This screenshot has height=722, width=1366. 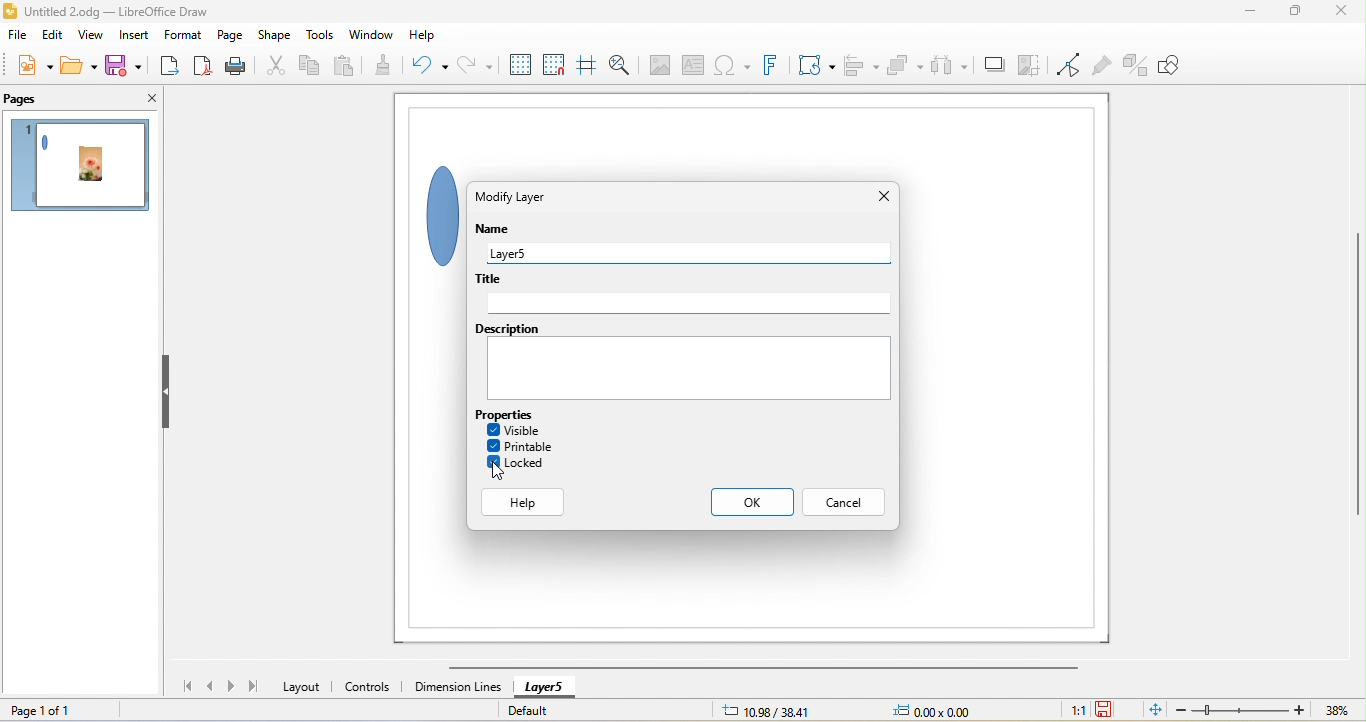 I want to click on help, so click(x=525, y=503).